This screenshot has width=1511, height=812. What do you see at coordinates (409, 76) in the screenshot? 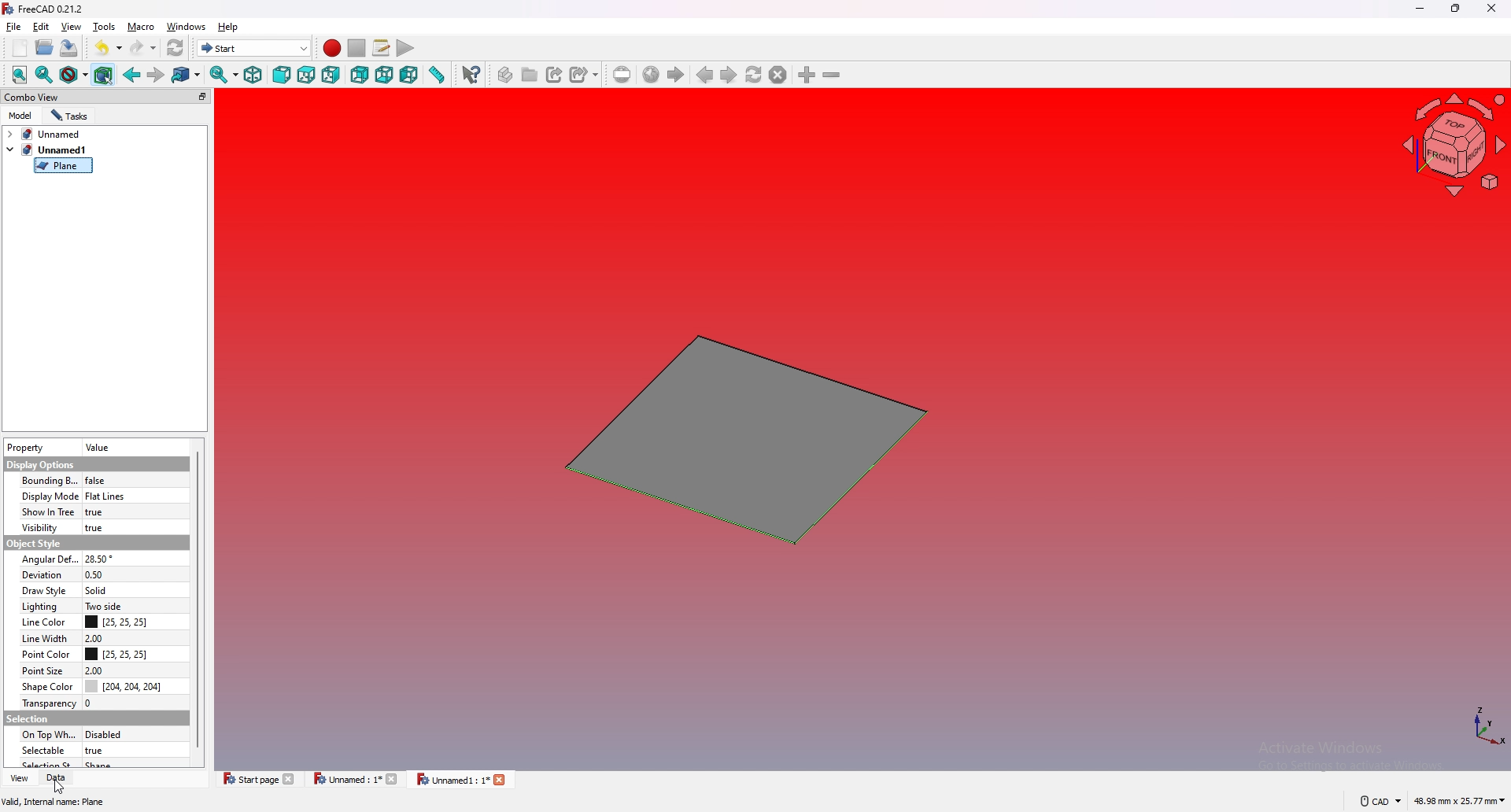
I see `left` at bounding box center [409, 76].